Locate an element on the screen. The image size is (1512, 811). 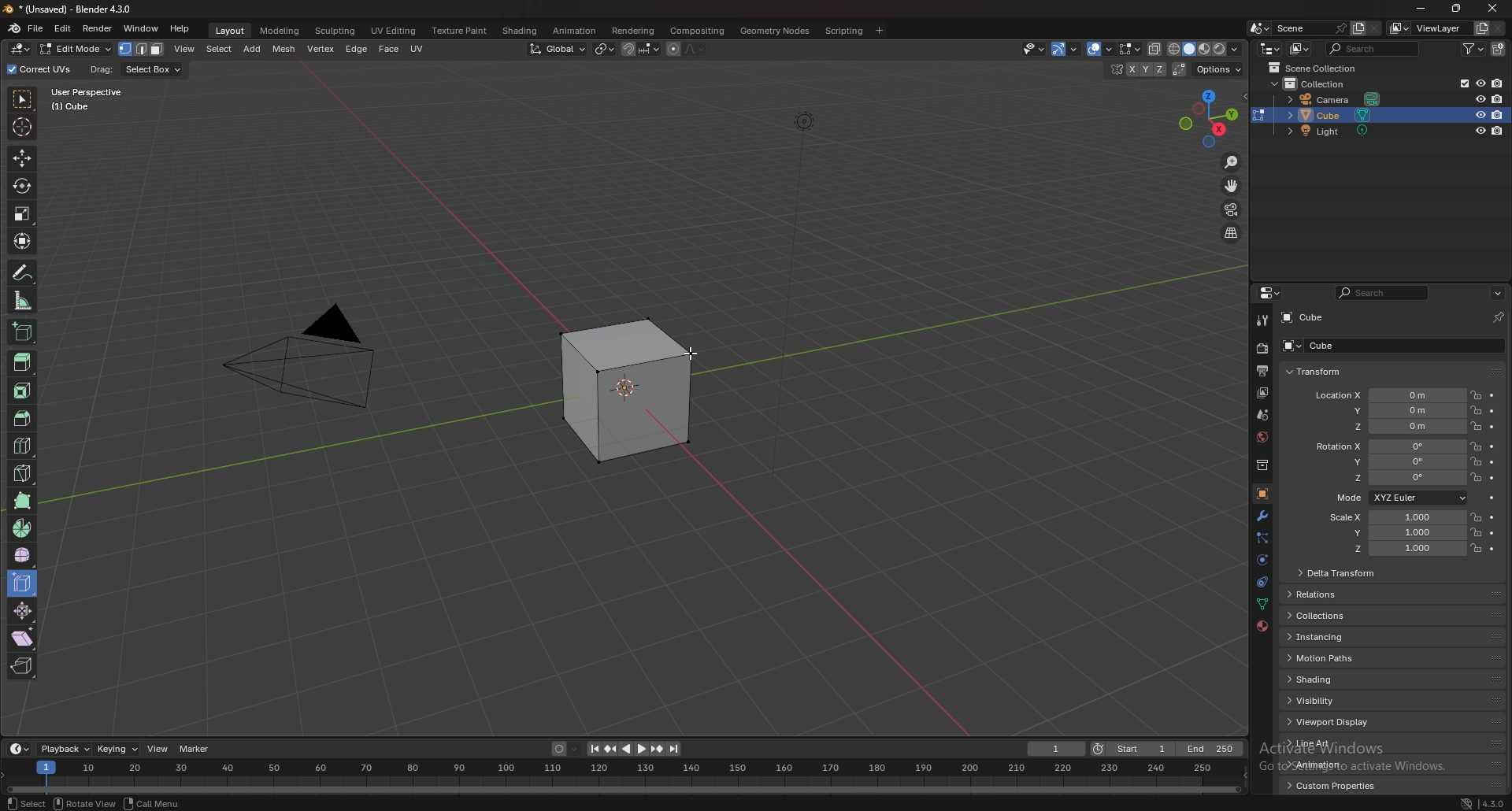
edge slide is located at coordinates (23, 583).